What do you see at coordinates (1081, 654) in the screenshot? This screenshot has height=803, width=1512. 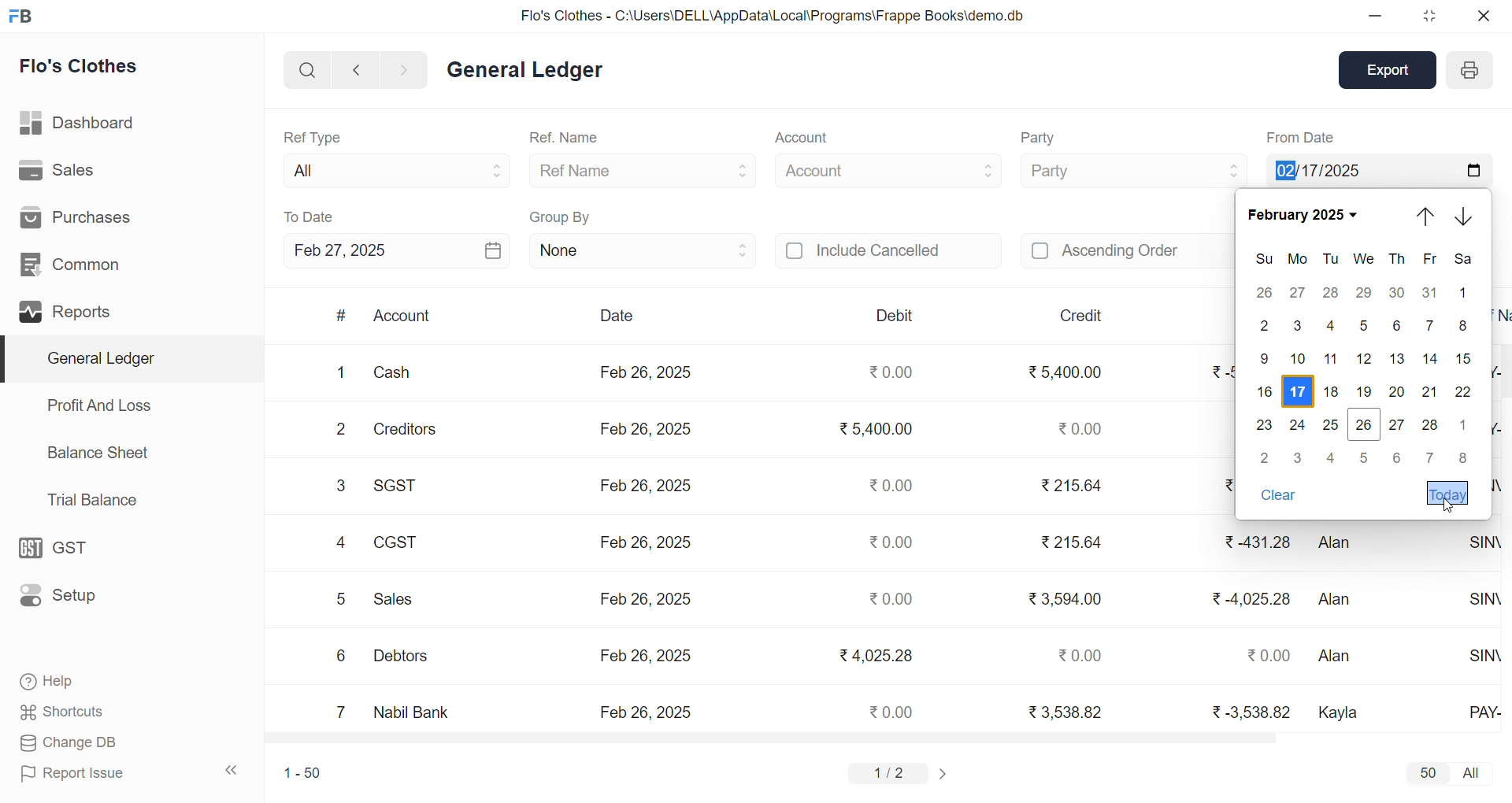 I see `₹0.00` at bounding box center [1081, 654].